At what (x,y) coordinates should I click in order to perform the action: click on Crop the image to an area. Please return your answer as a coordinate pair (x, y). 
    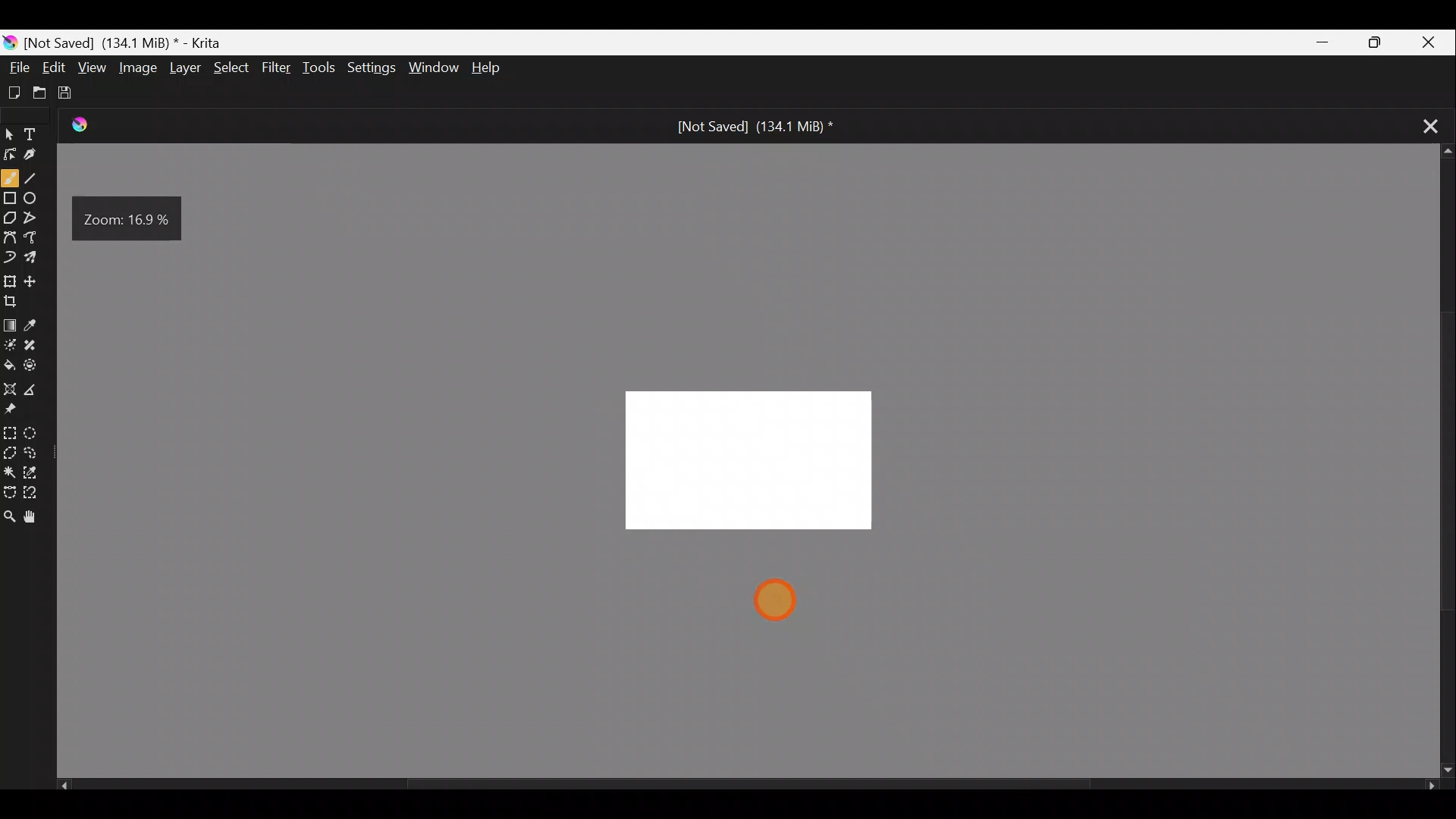
    Looking at the image, I should click on (17, 301).